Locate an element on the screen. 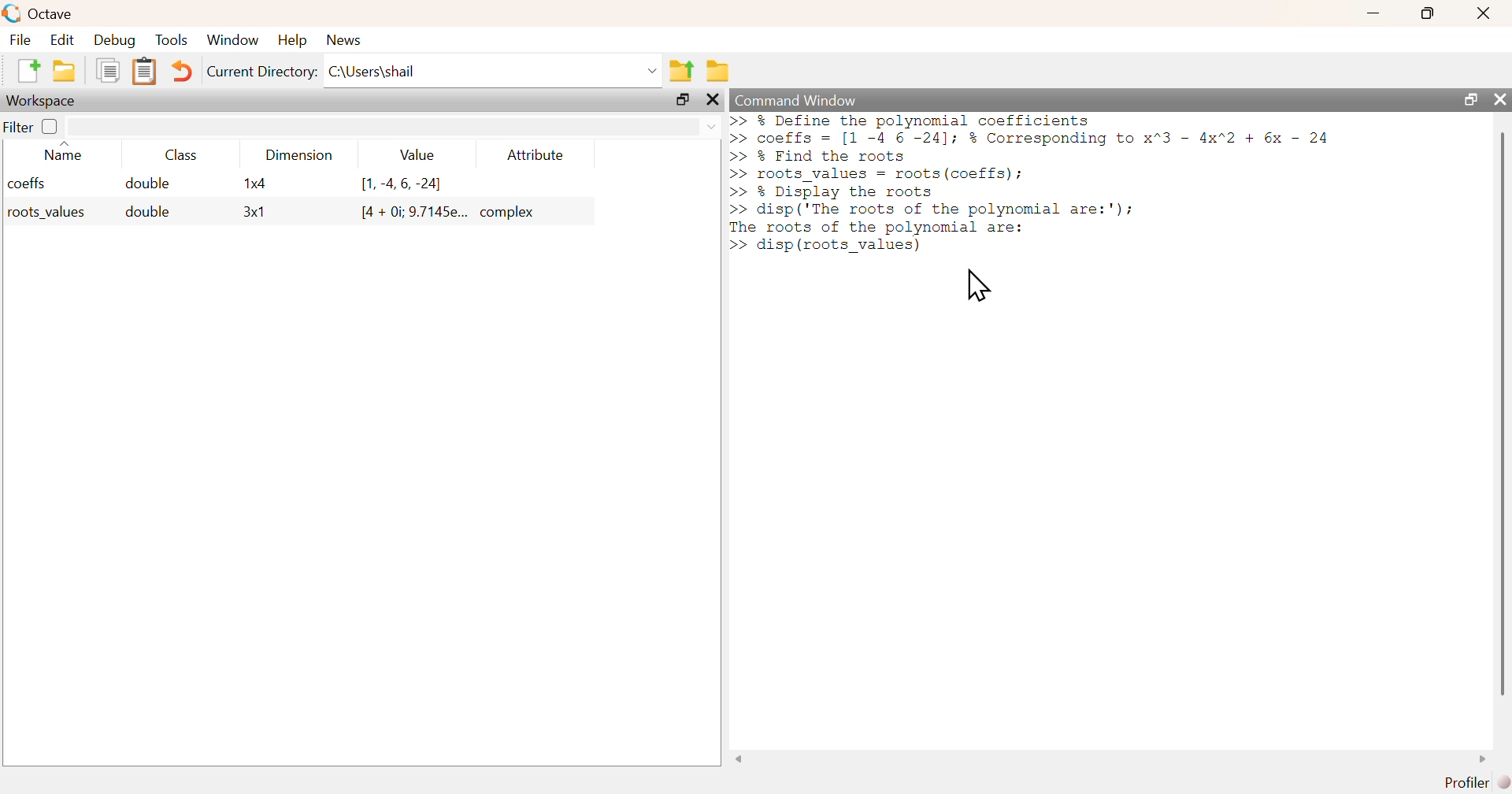  Duplicate is located at coordinates (109, 72).